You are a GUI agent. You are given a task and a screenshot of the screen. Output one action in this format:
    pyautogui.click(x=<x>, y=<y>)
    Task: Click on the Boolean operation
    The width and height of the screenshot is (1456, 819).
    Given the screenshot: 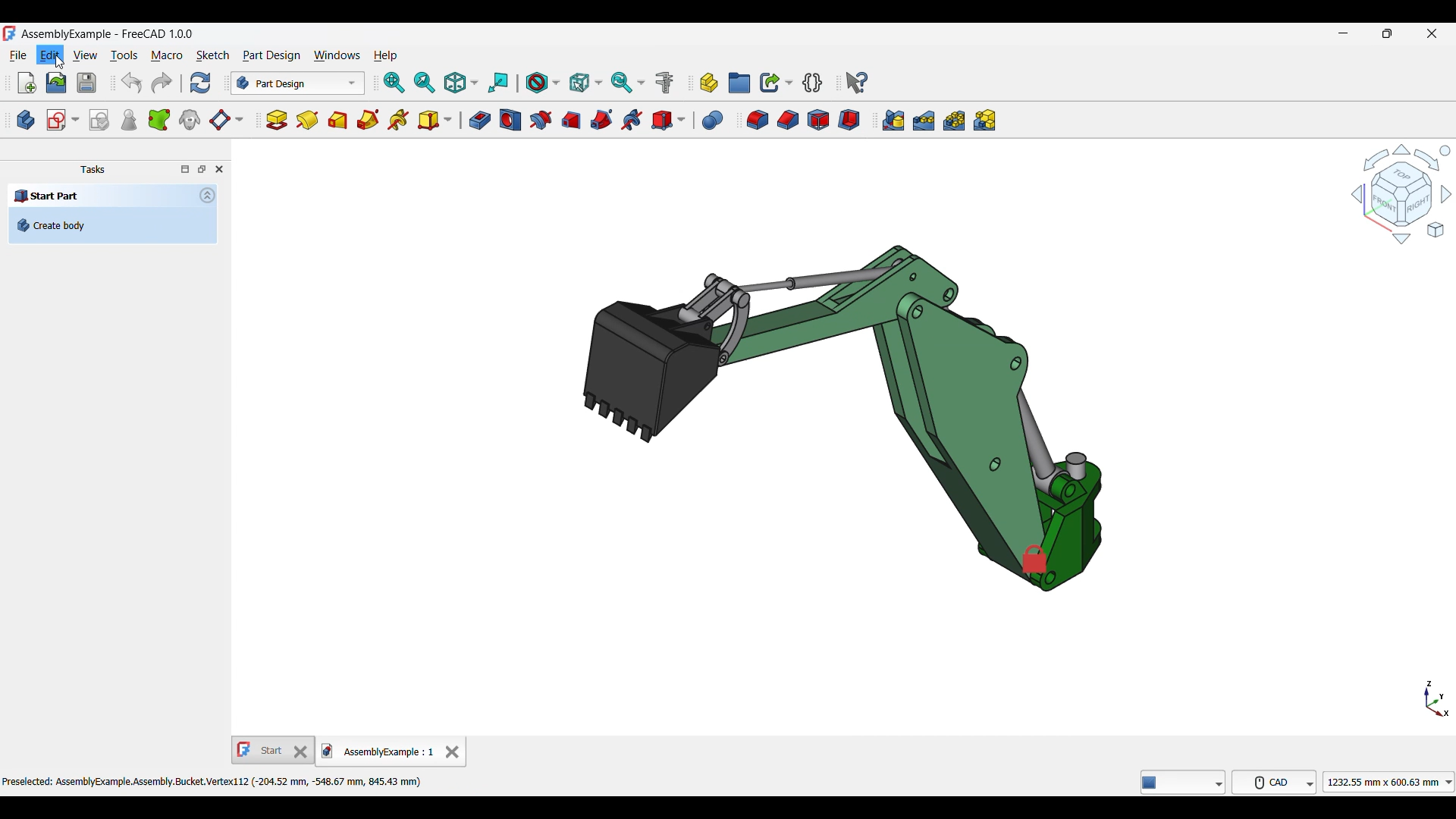 What is the action you would take?
    pyautogui.click(x=712, y=121)
    